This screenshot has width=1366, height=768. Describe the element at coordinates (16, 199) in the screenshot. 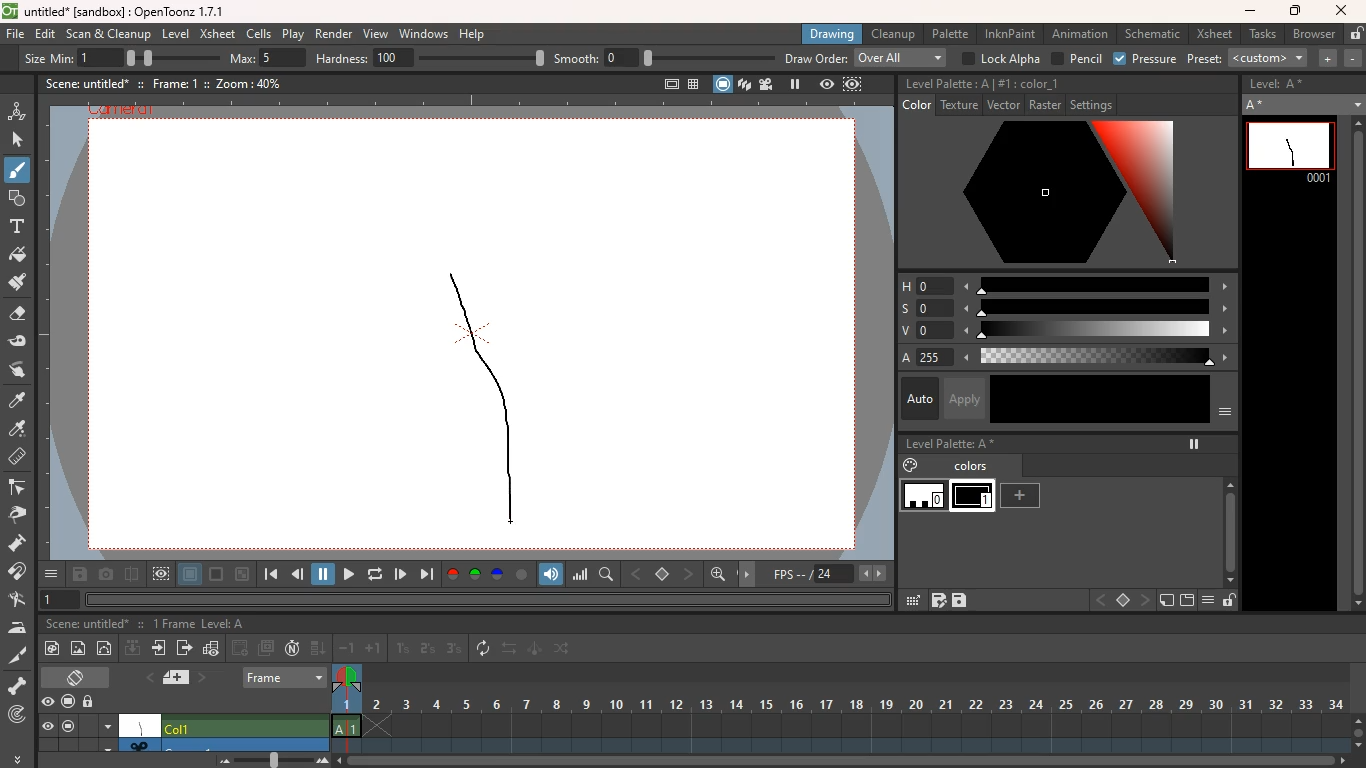

I see `forms` at that location.